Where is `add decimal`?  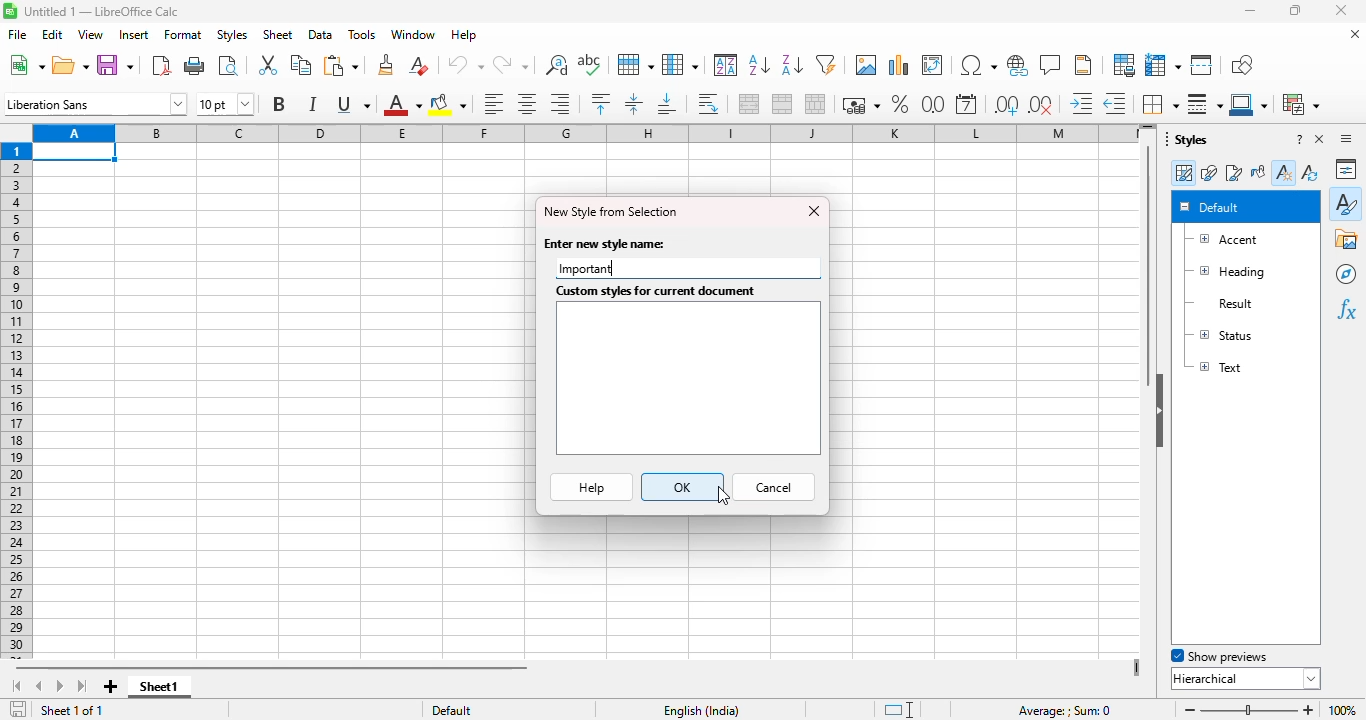
add decimal is located at coordinates (1007, 105).